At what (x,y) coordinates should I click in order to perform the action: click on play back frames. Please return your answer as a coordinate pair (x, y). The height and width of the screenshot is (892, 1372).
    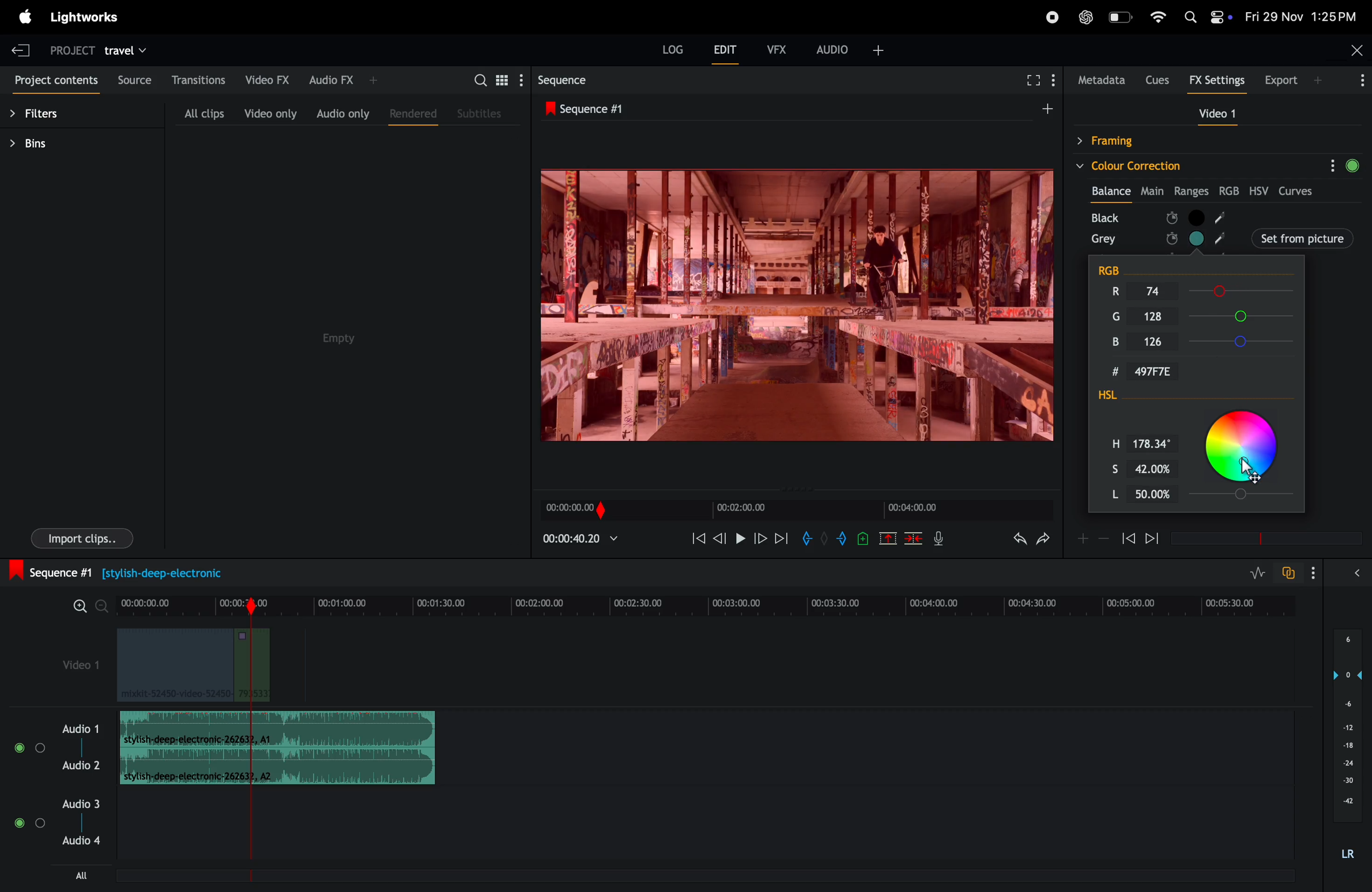
    Looking at the image, I should click on (795, 305).